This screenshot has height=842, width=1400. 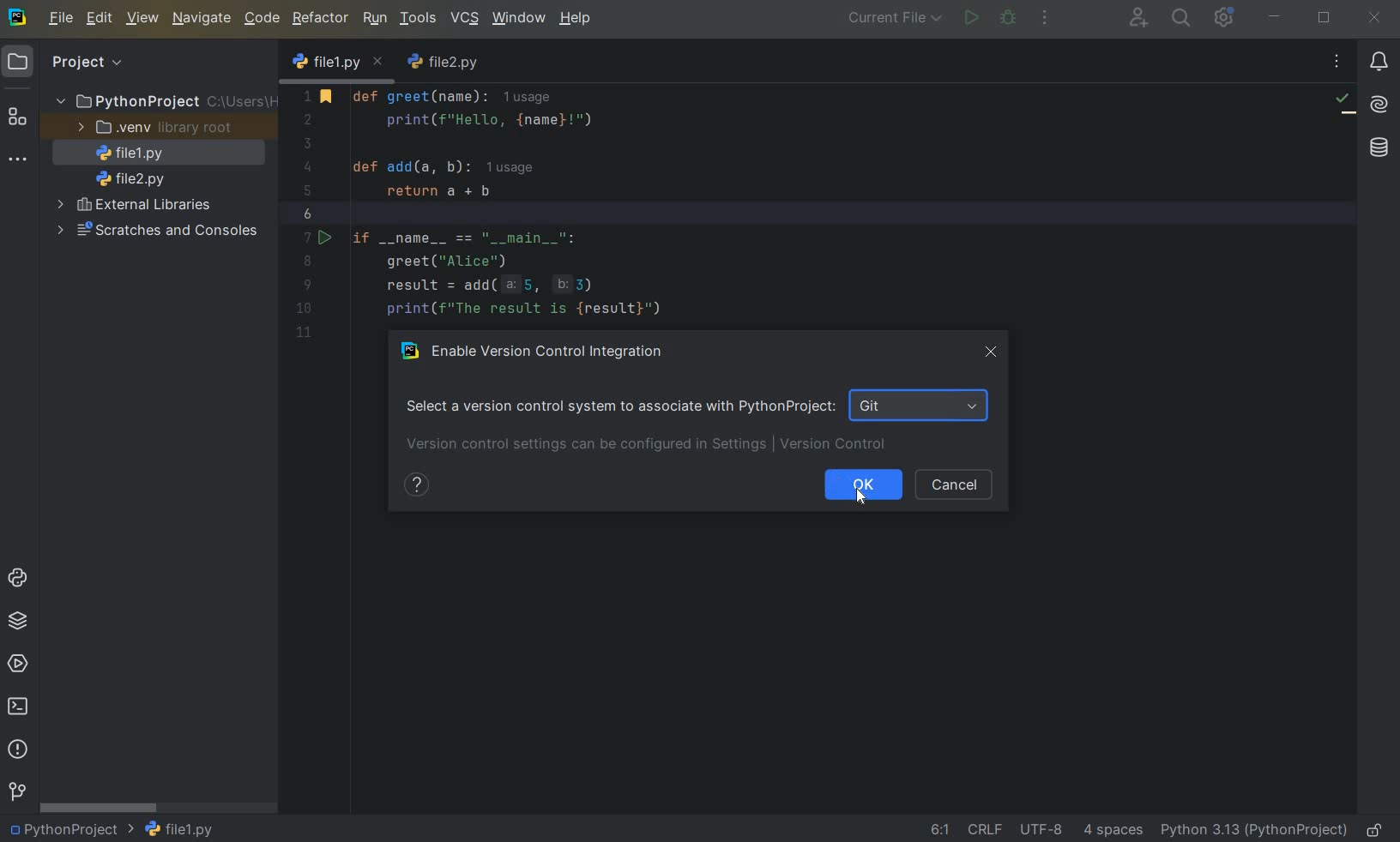 I want to click on version control settings, so click(x=649, y=446).